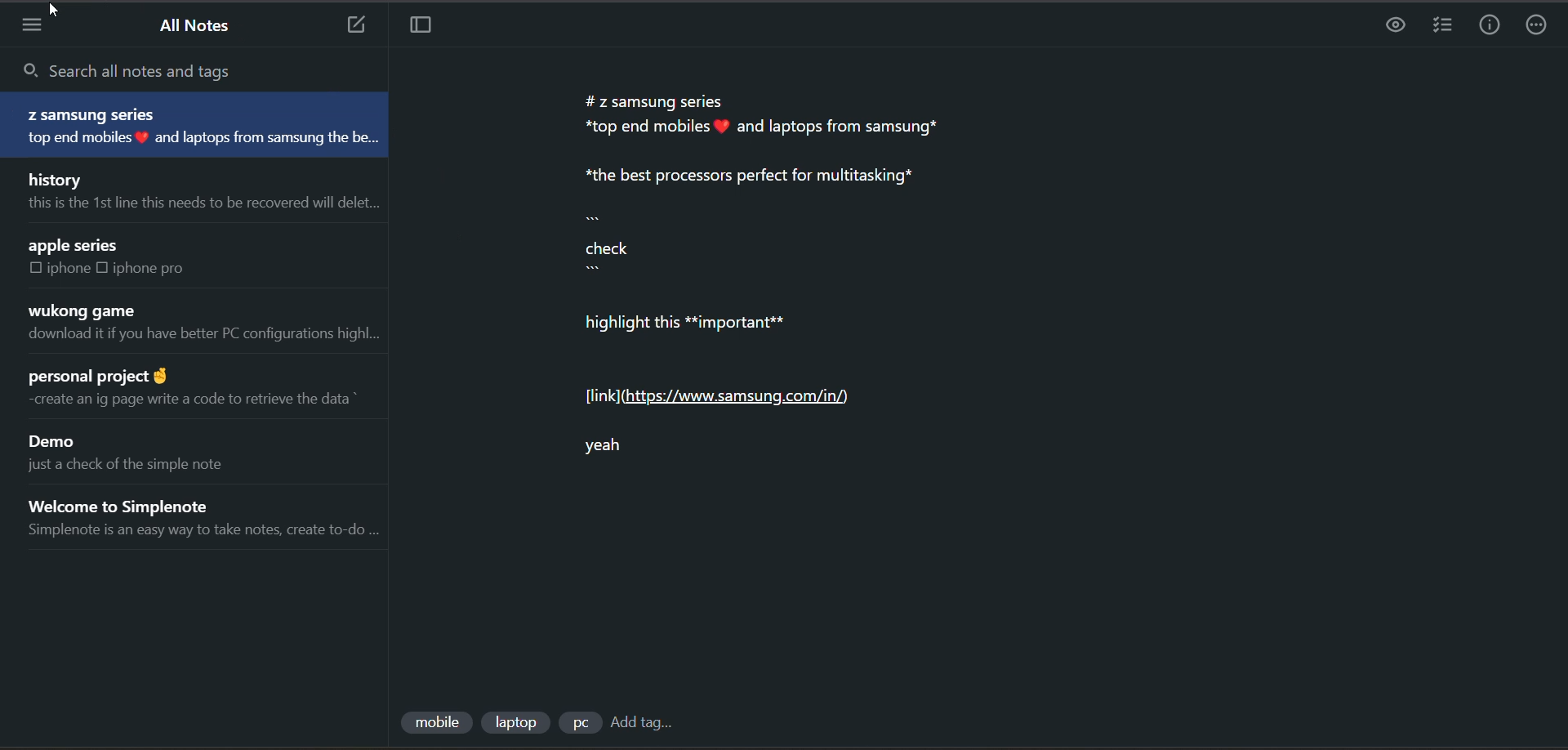 This screenshot has height=750, width=1568. Describe the element at coordinates (1490, 29) in the screenshot. I see `info` at that location.